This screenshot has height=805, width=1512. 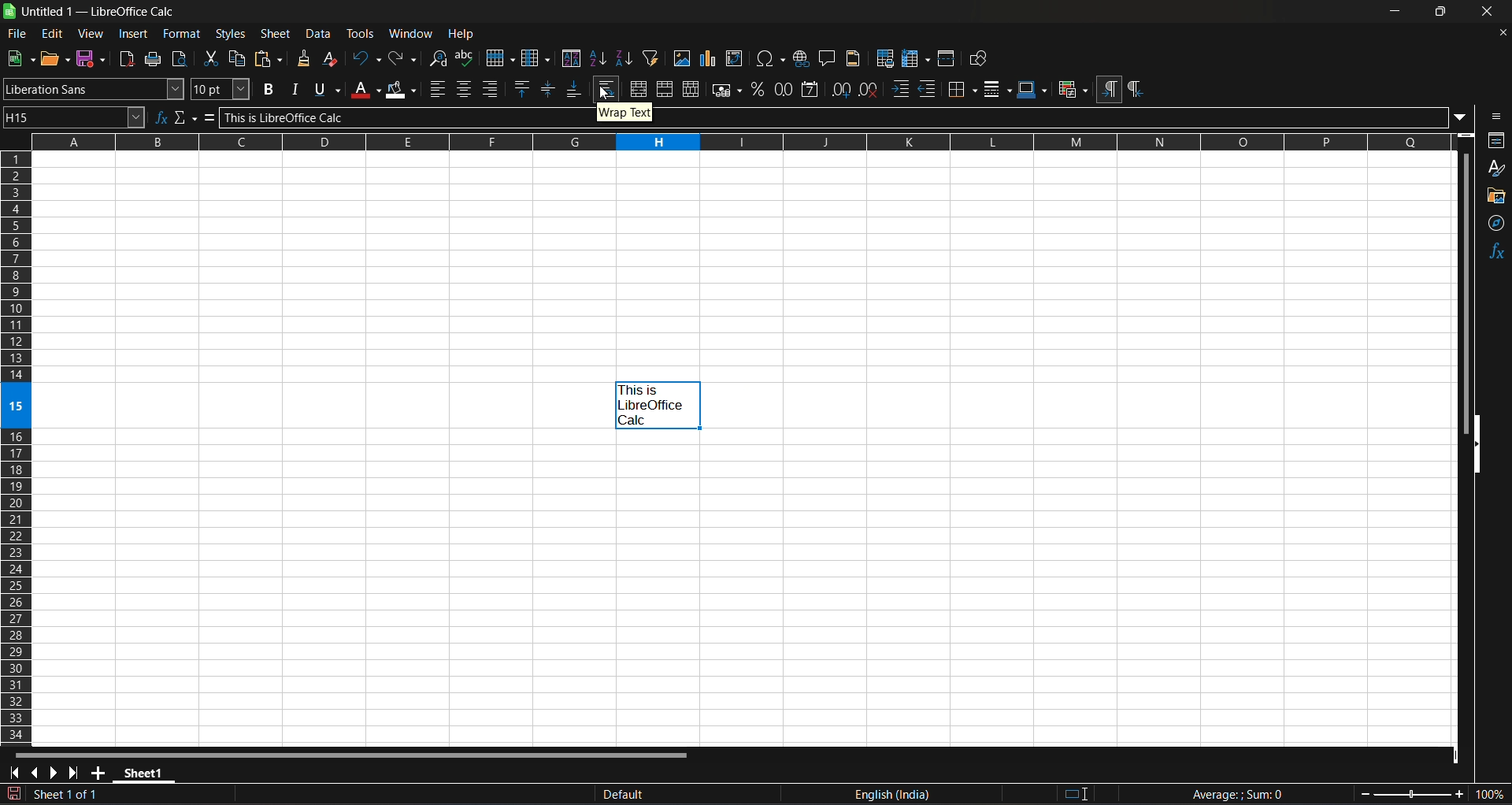 I want to click on clear direct formatting, so click(x=331, y=58).